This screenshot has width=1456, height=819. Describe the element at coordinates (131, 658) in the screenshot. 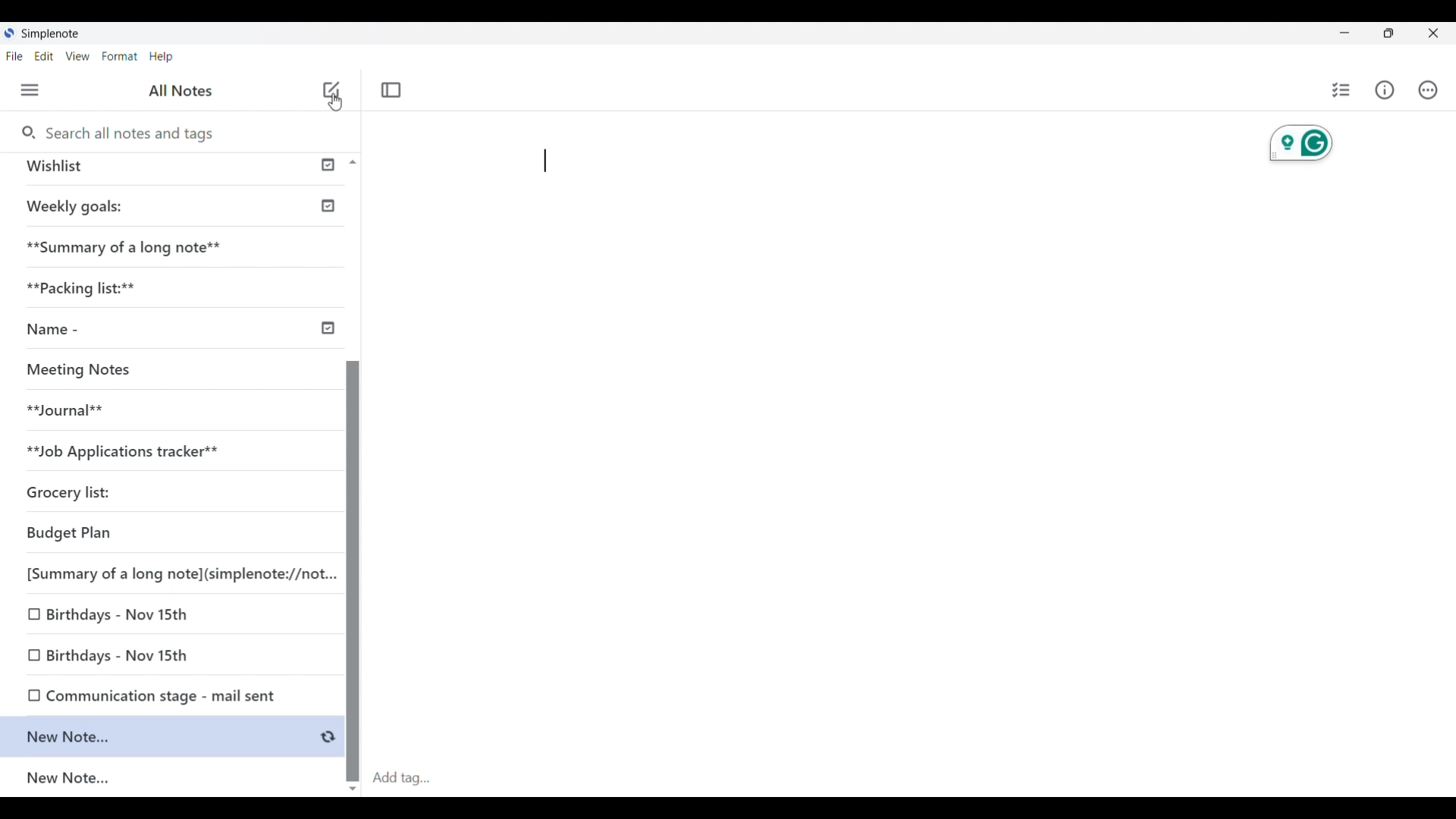

I see `Birthdays - Nov 15th` at that location.